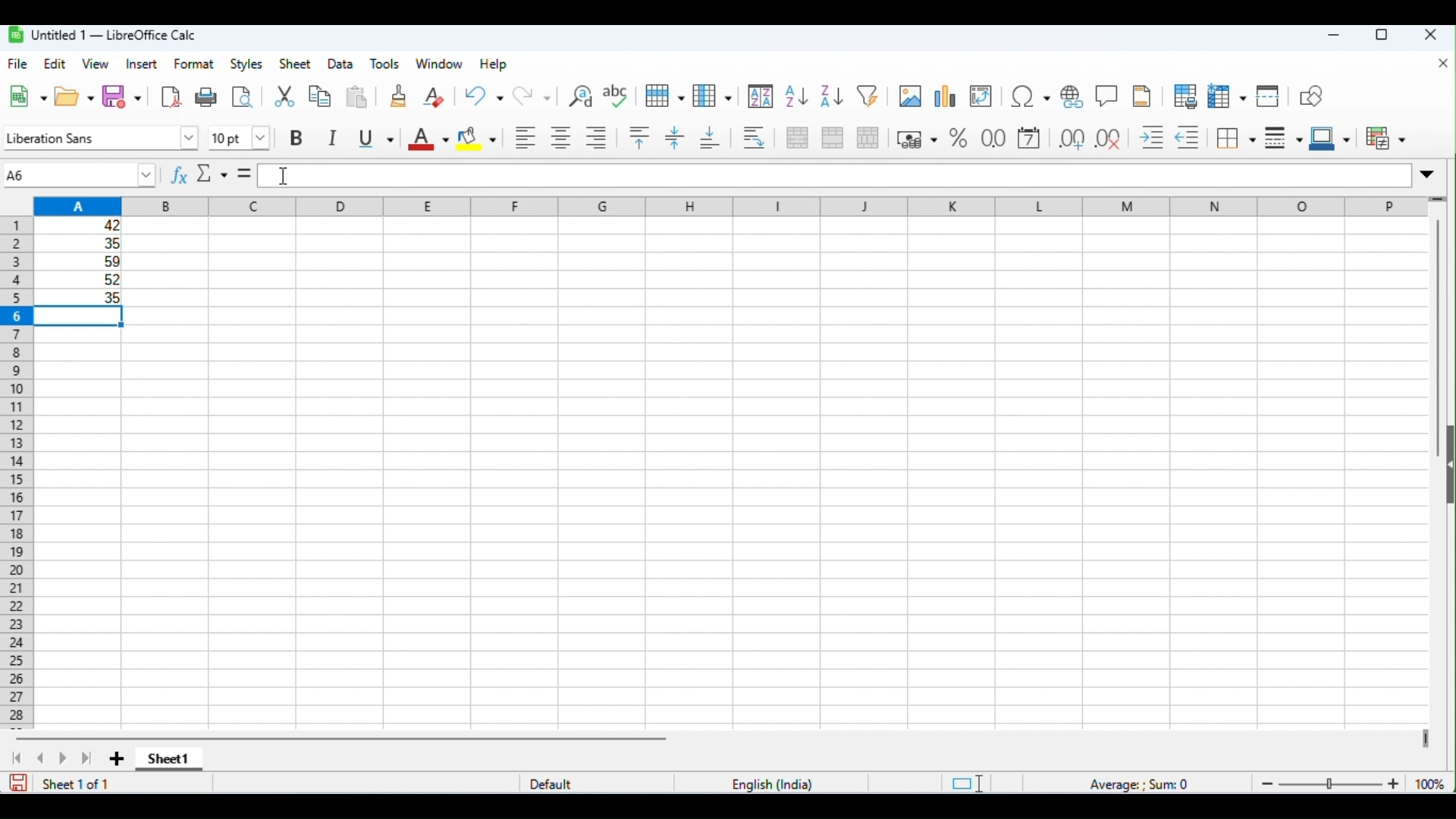 This screenshot has width=1456, height=819. Describe the element at coordinates (523, 137) in the screenshot. I see `align left` at that location.